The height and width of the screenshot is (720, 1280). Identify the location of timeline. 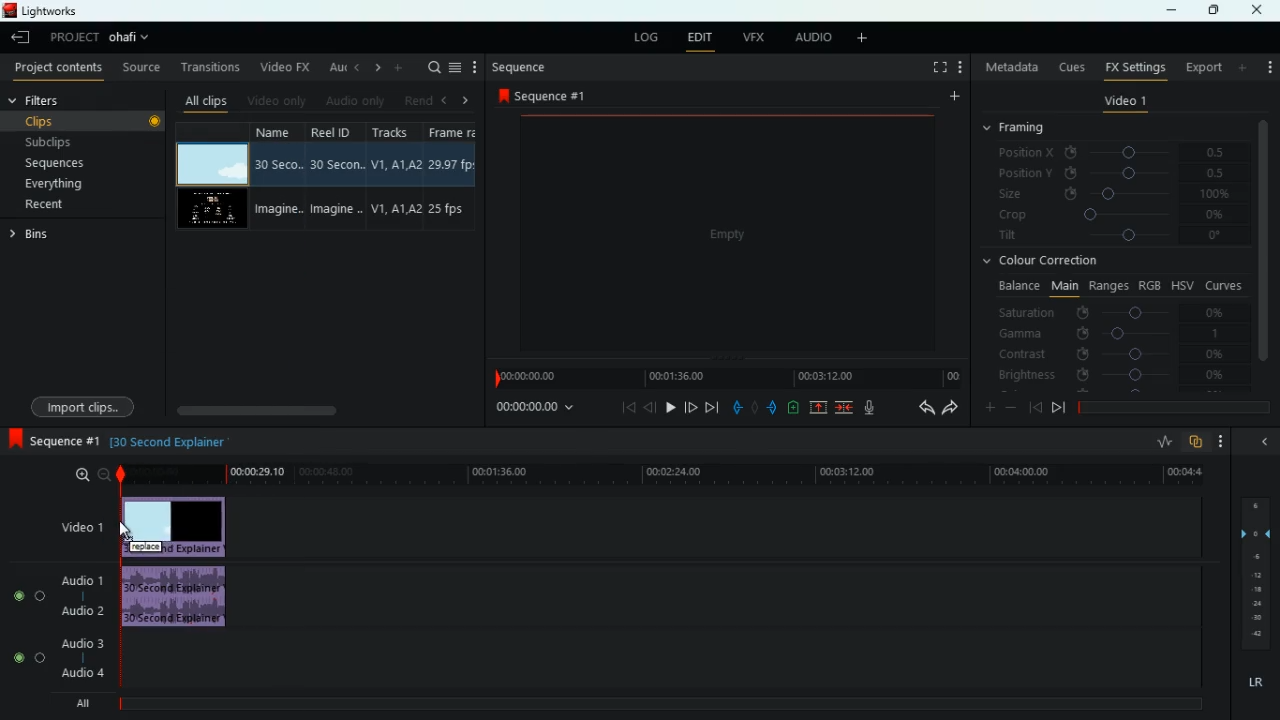
(1170, 405).